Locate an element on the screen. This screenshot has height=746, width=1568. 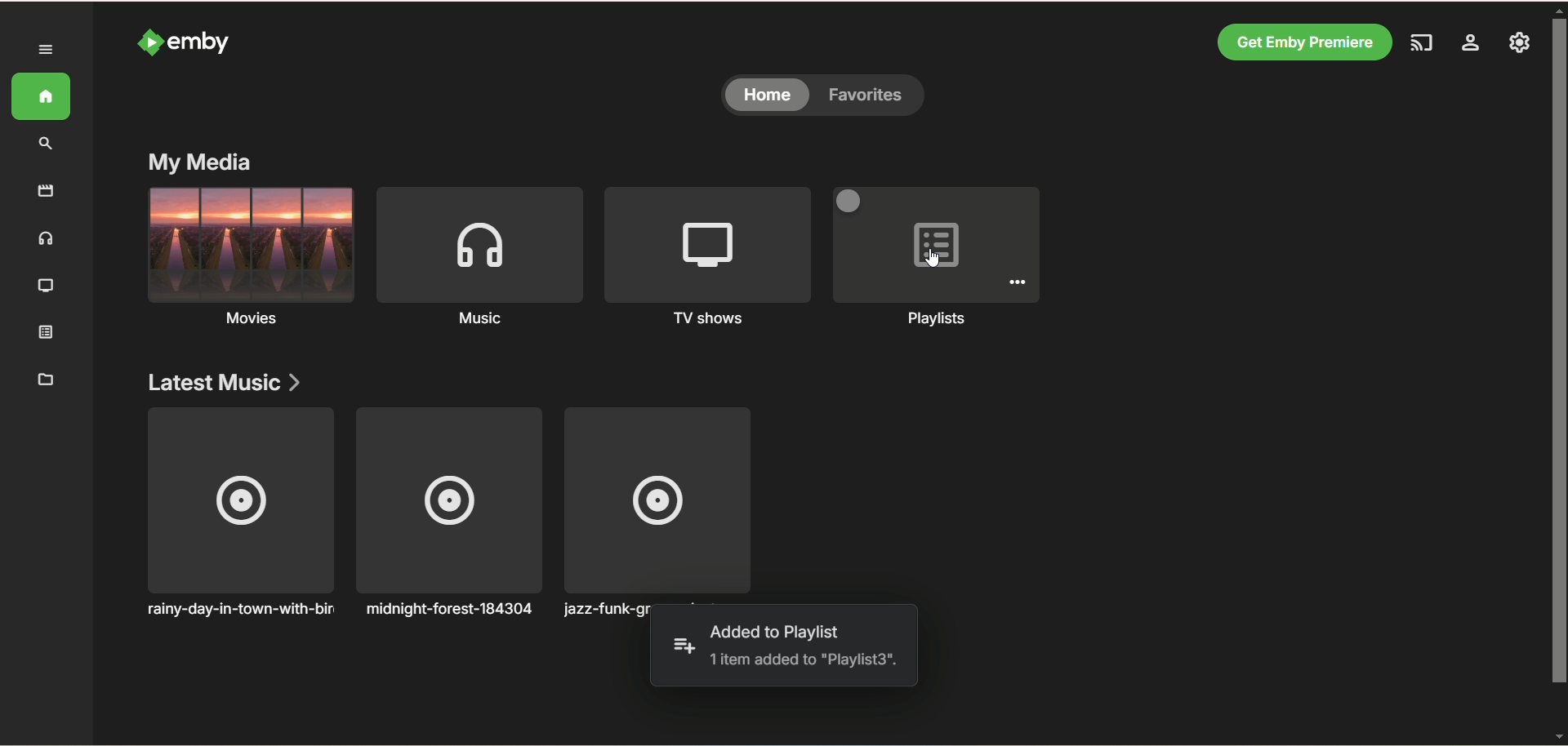
search is located at coordinates (48, 144).